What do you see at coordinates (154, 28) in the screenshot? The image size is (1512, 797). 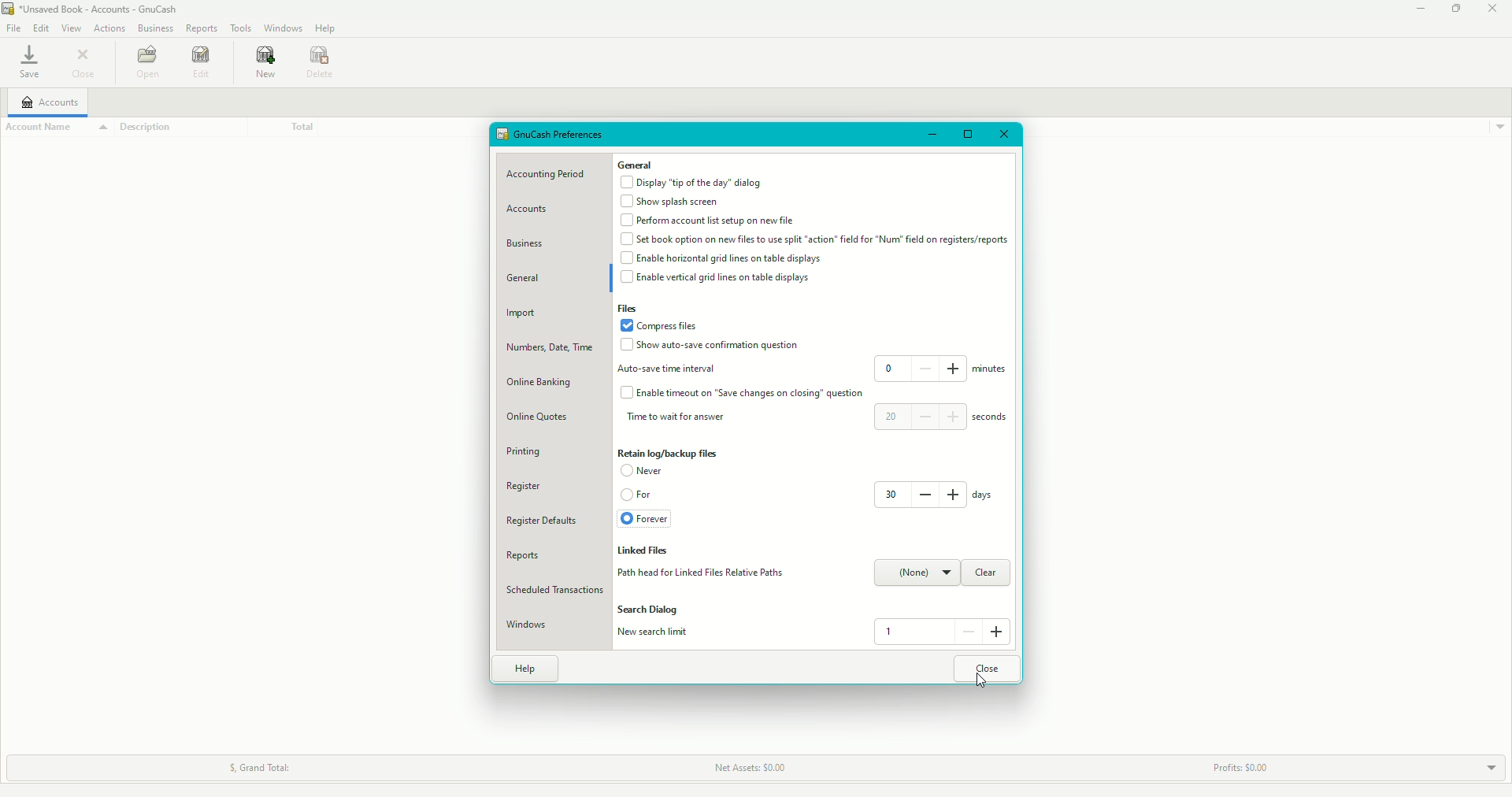 I see `Business` at bounding box center [154, 28].